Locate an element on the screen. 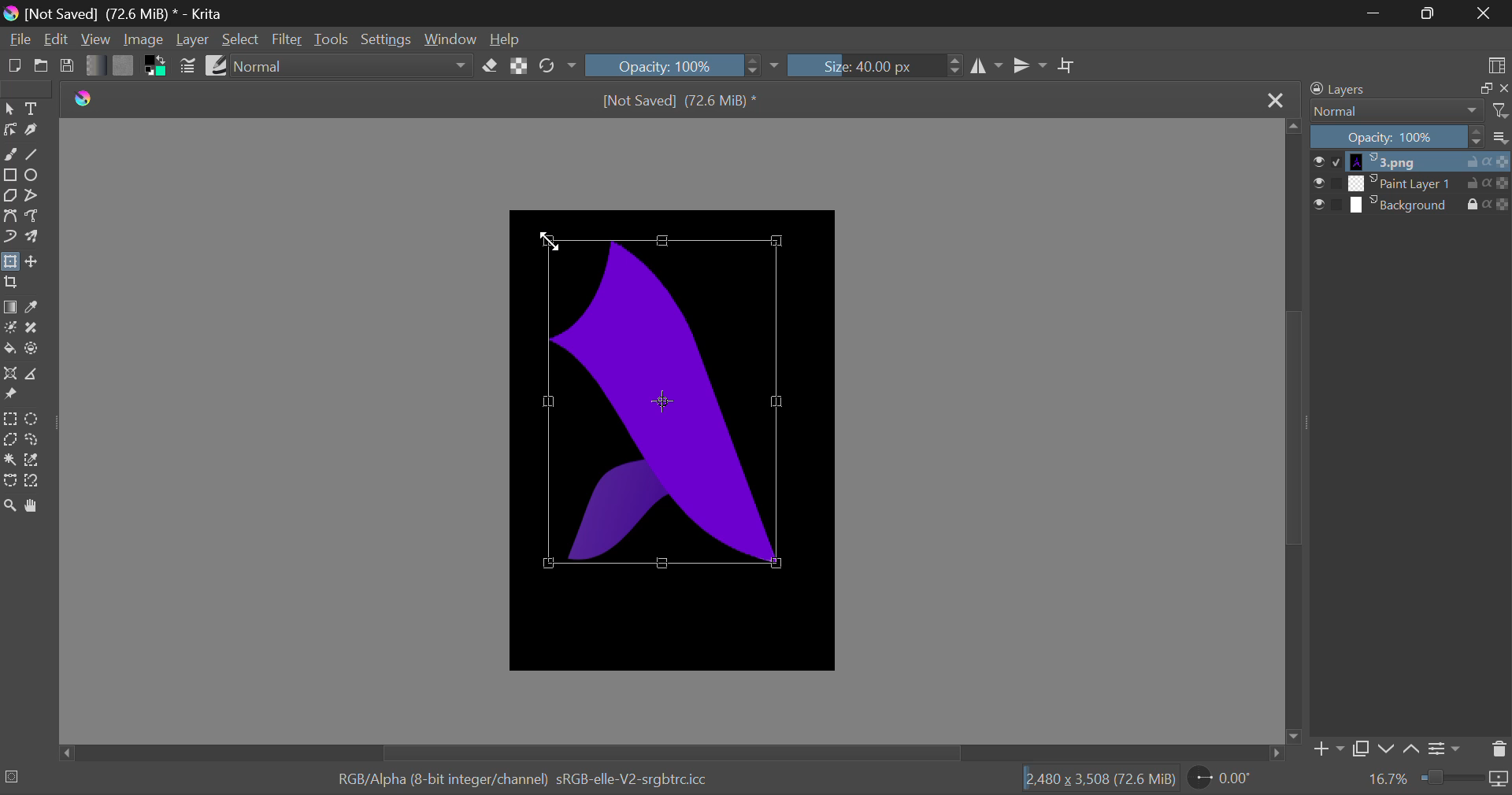 Image resolution: width=1512 pixels, height=795 pixels. Choose Workspace is located at coordinates (1497, 65).